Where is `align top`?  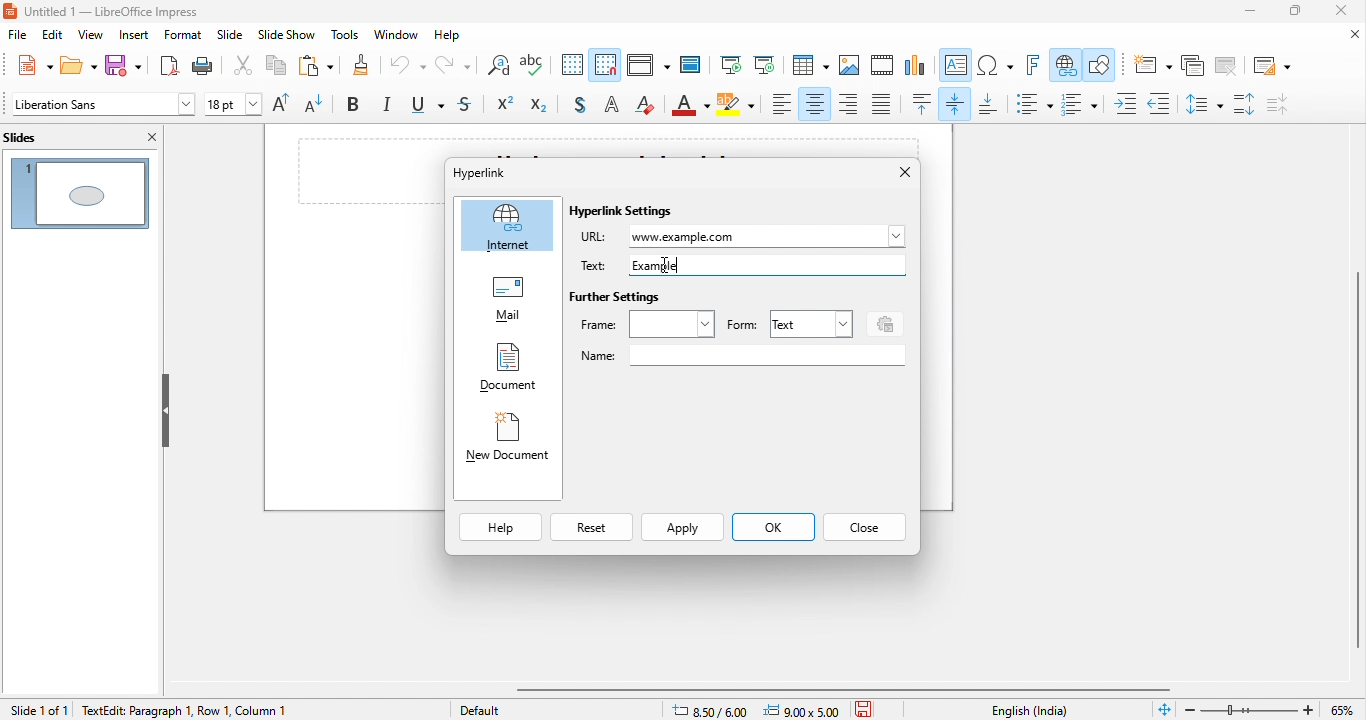
align top is located at coordinates (923, 104).